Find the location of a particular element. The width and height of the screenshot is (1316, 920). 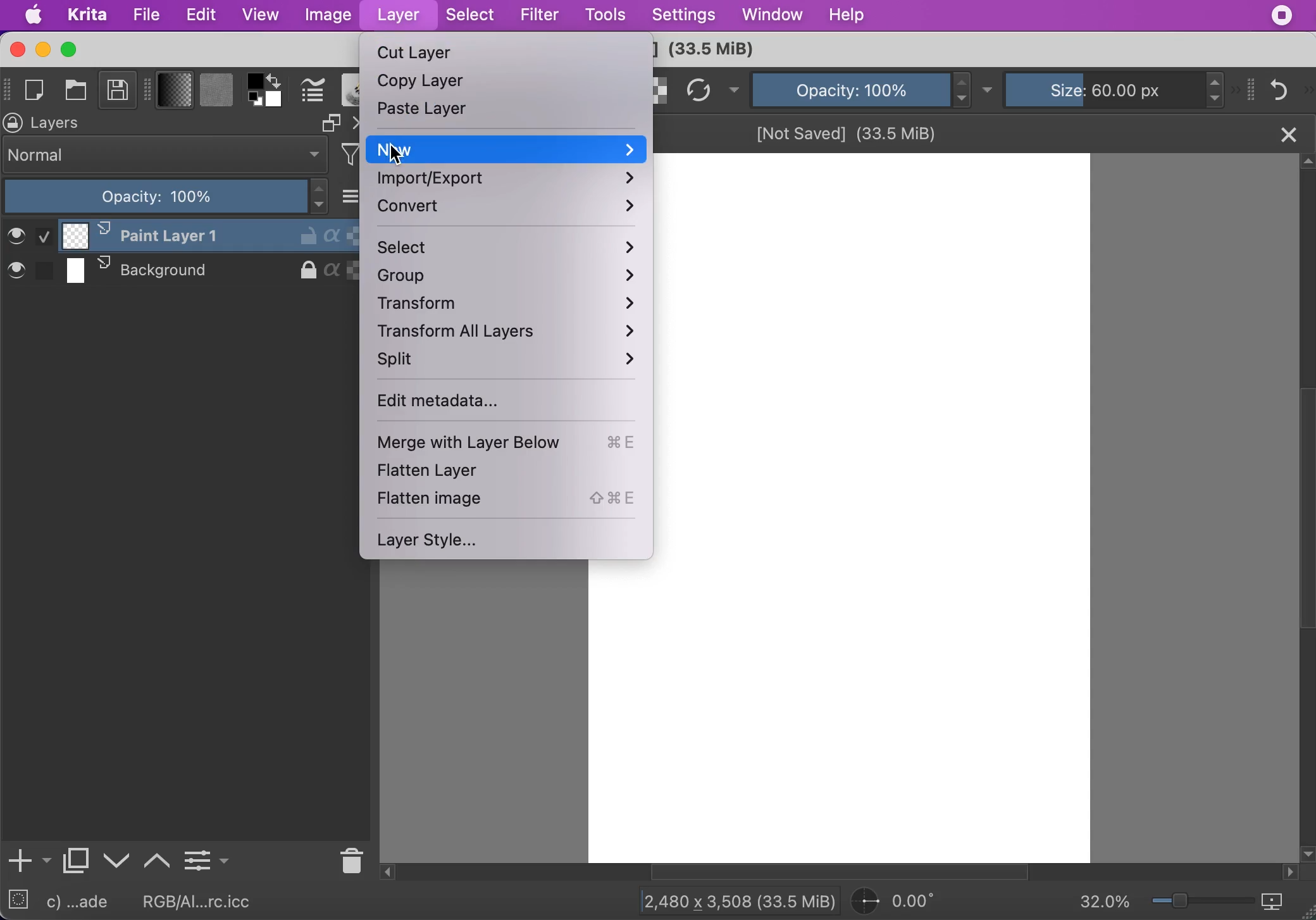

maximize is located at coordinates (71, 49).